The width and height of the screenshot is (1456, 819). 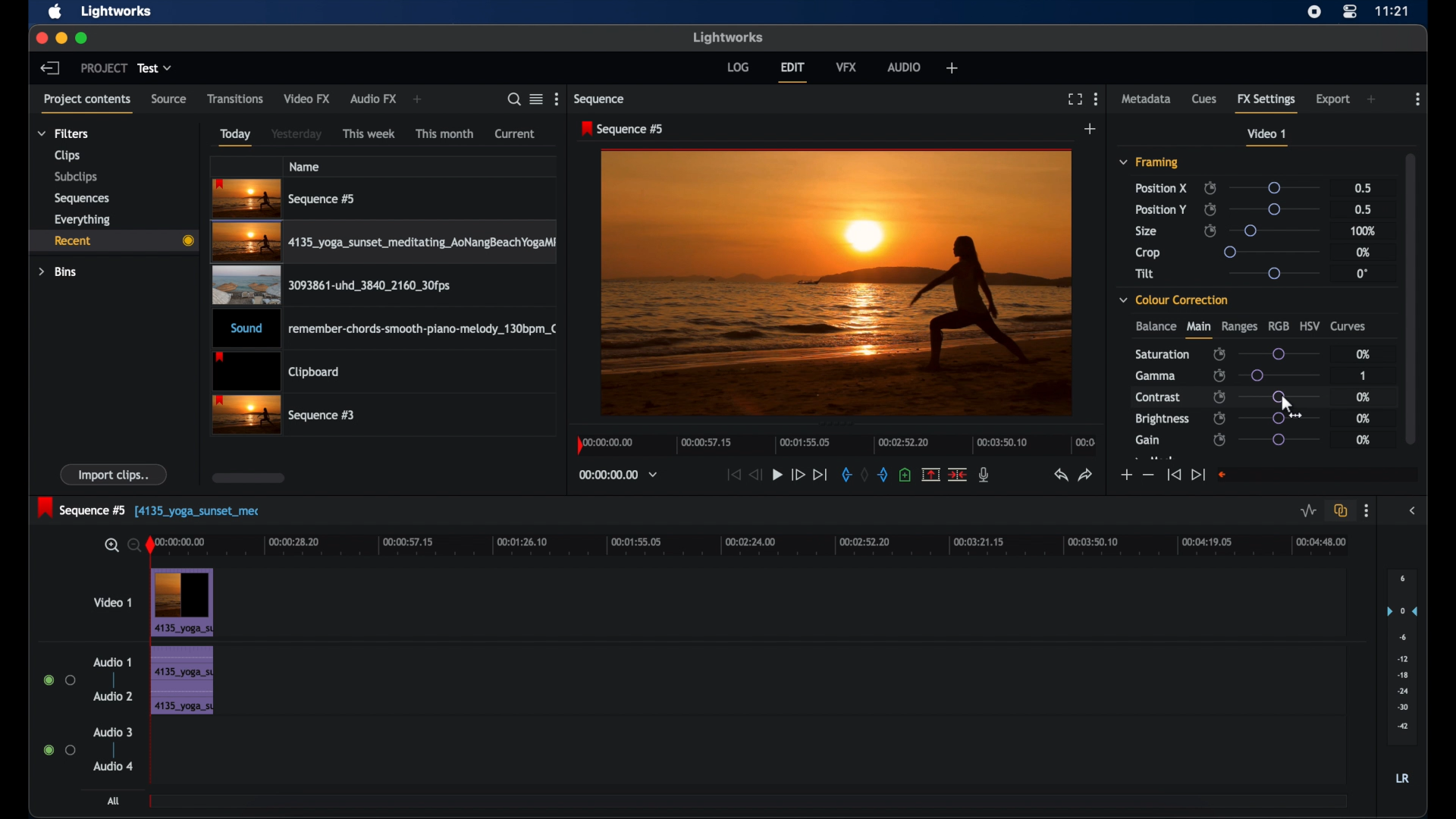 What do you see at coordinates (285, 199) in the screenshot?
I see `videoclip` at bounding box center [285, 199].